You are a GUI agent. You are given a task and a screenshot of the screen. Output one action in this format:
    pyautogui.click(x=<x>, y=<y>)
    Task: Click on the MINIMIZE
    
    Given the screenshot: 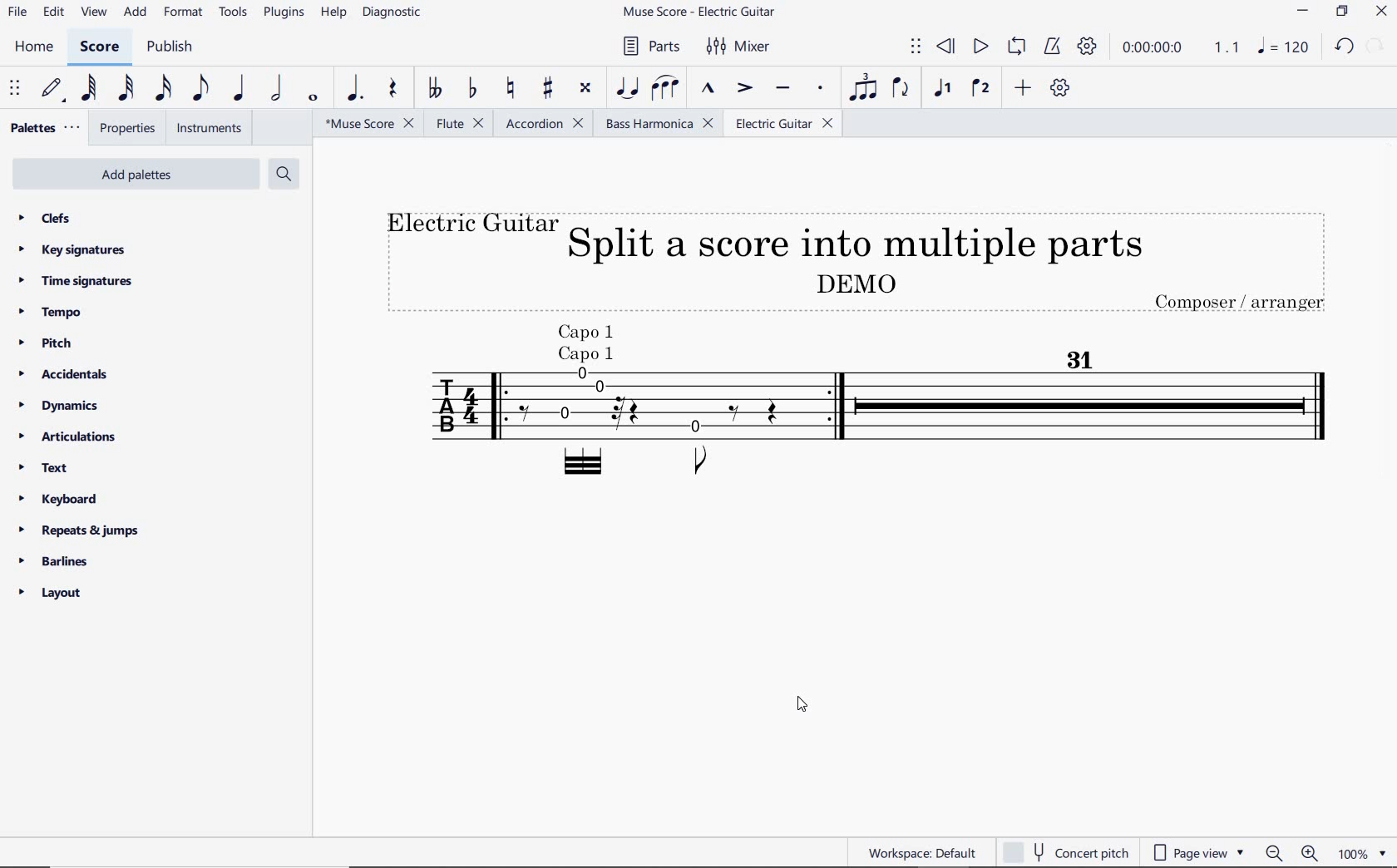 What is the action you would take?
    pyautogui.click(x=1304, y=12)
    